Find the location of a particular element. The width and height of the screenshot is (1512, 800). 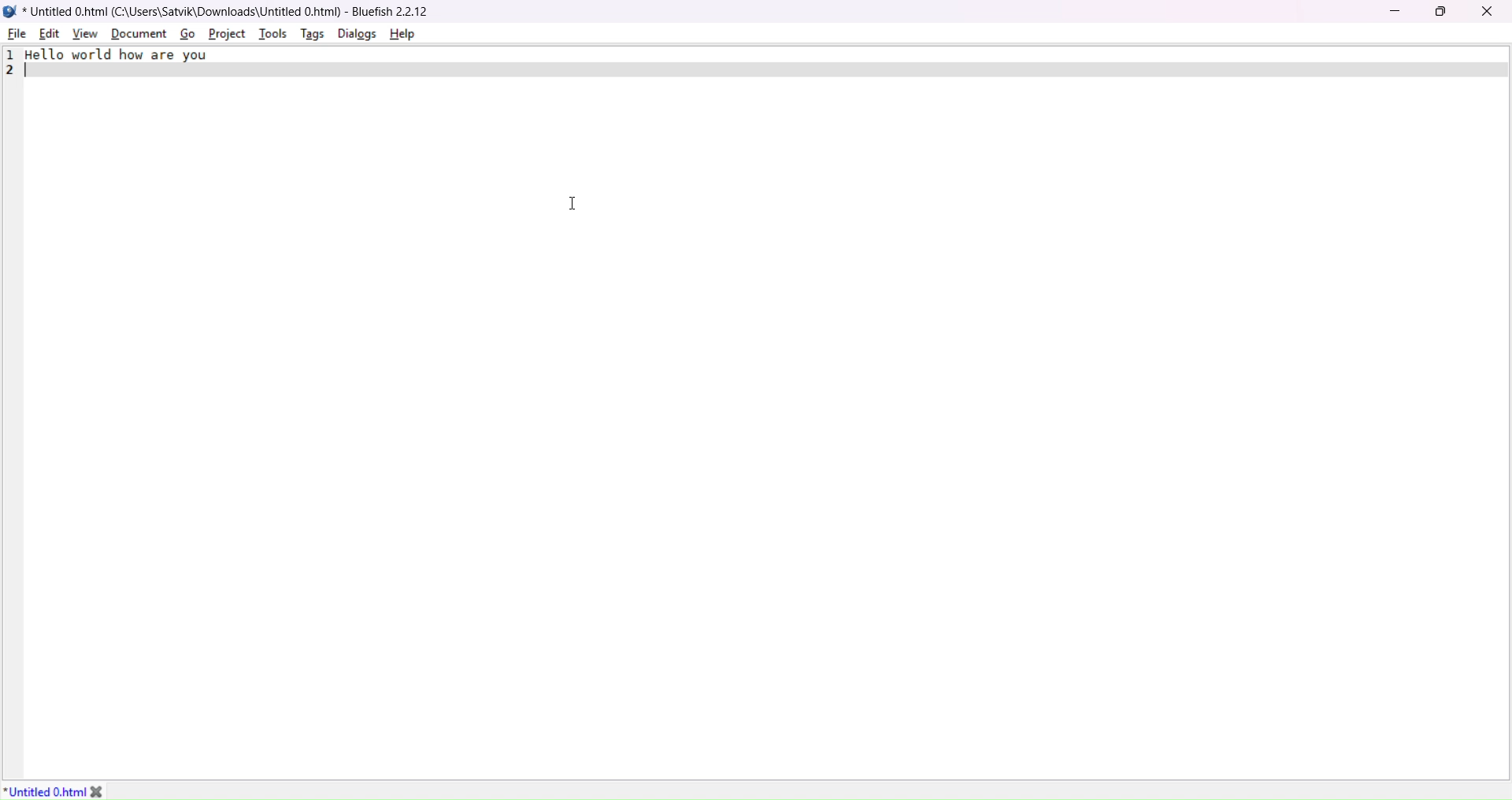

view is located at coordinates (84, 32).